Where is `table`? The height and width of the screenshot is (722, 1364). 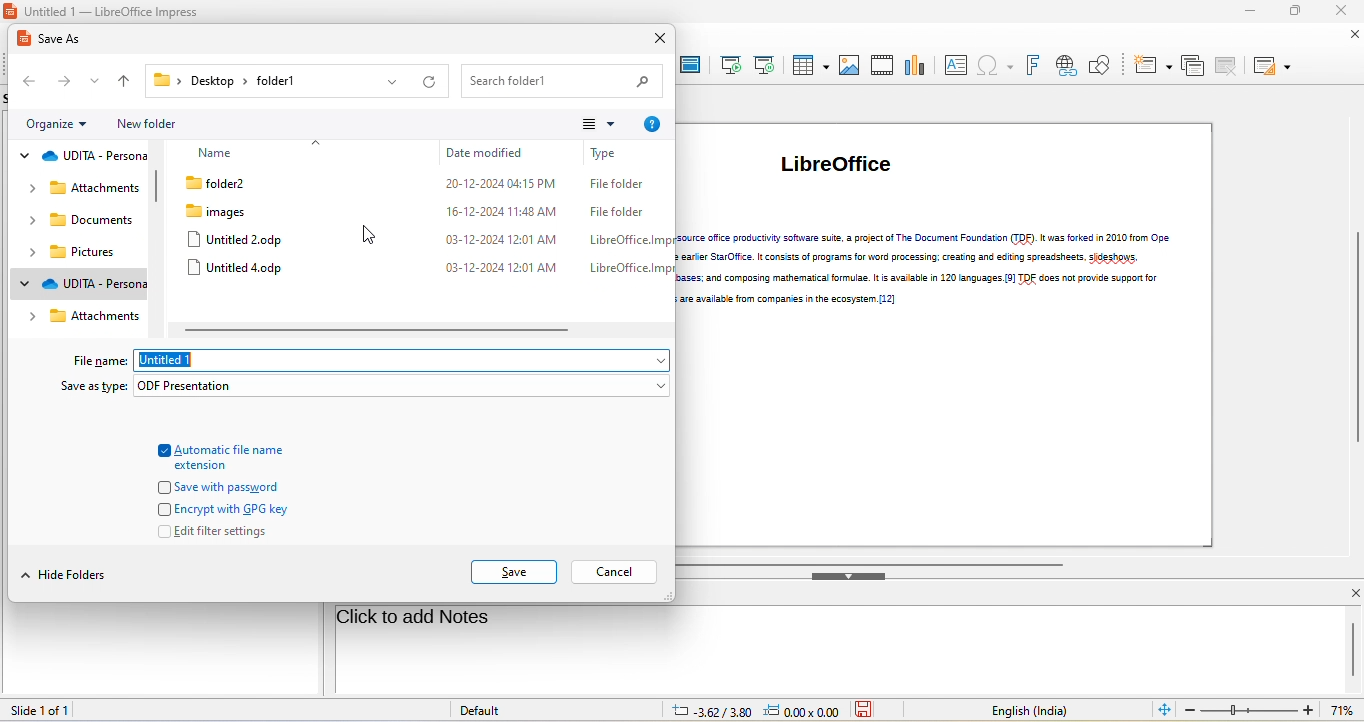
table is located at coordinates (809, 67).